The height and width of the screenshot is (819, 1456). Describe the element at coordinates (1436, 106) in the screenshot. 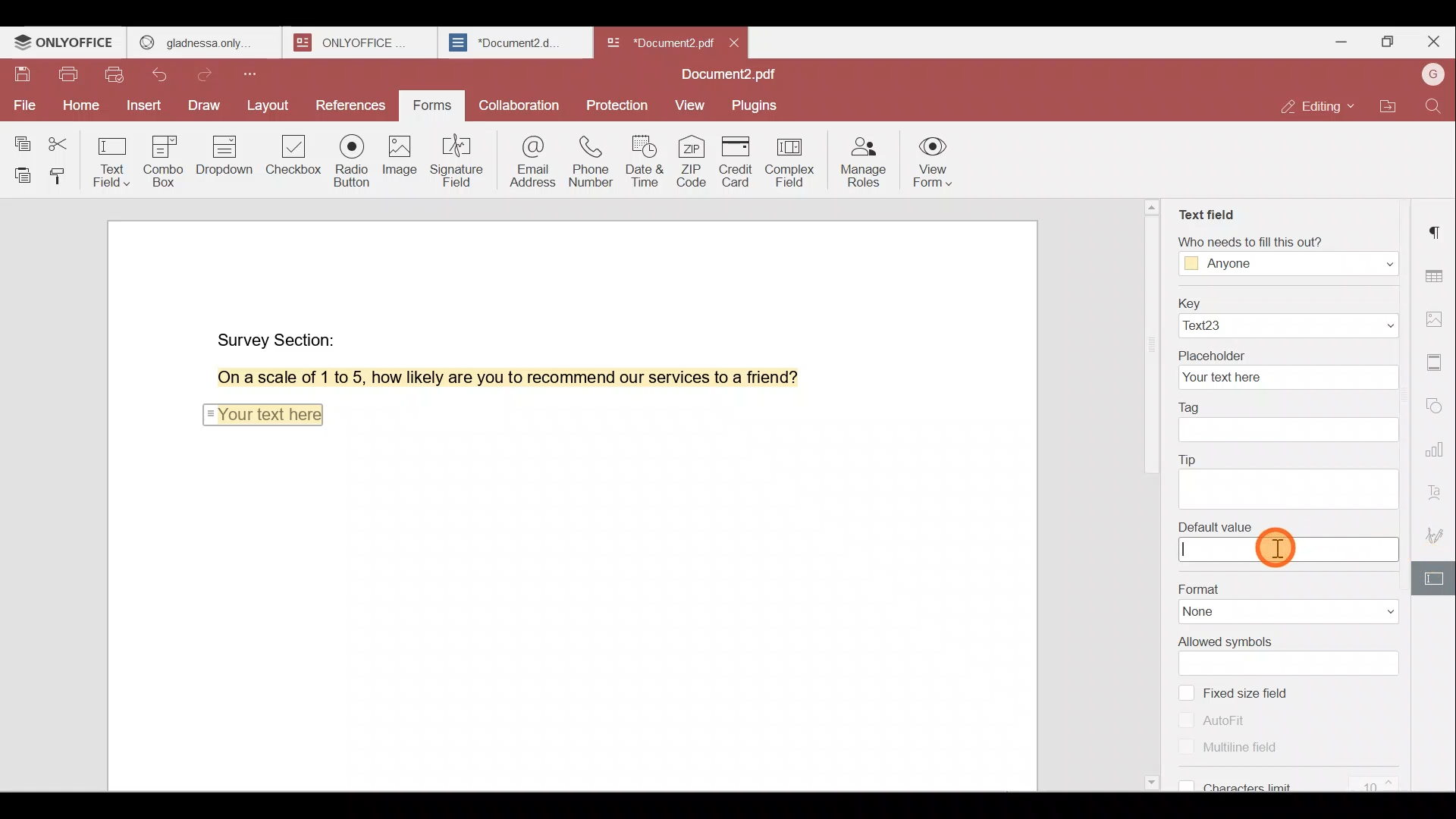

I see `Find` at that location.